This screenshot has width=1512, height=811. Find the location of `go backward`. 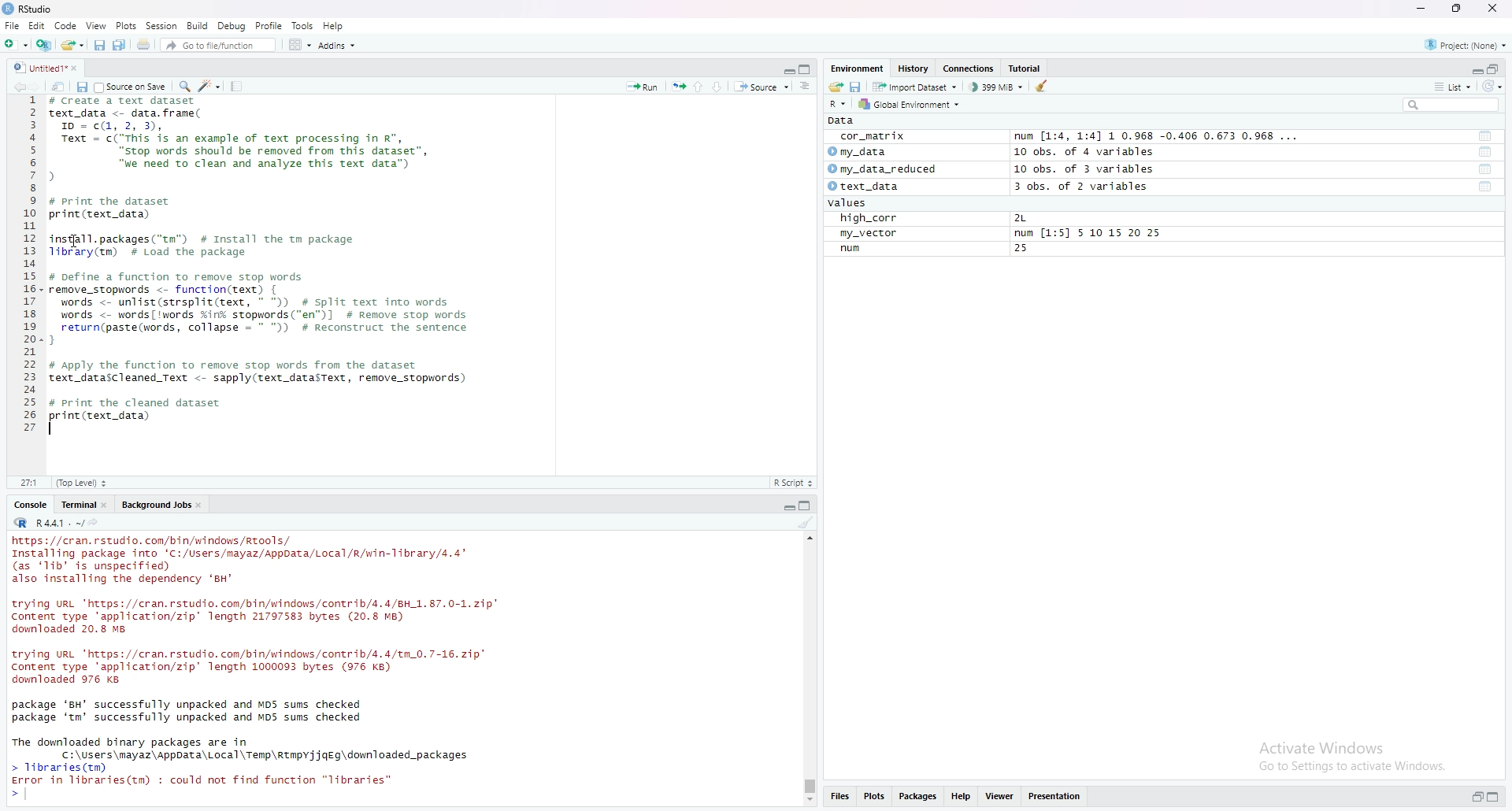

go backward is located at coordinates (17, 87).